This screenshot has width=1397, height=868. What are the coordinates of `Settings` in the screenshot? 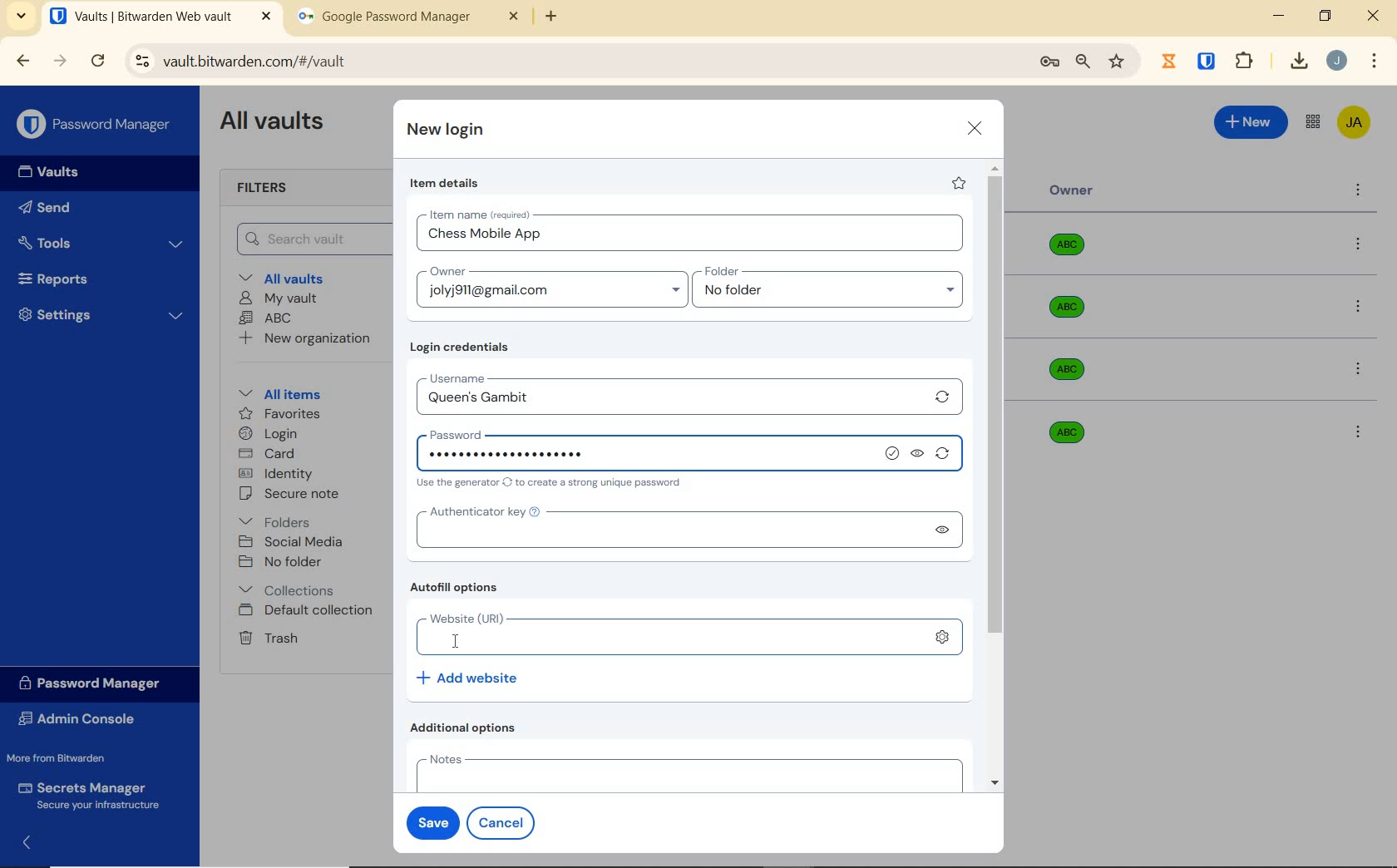 It's located at (101, 313).